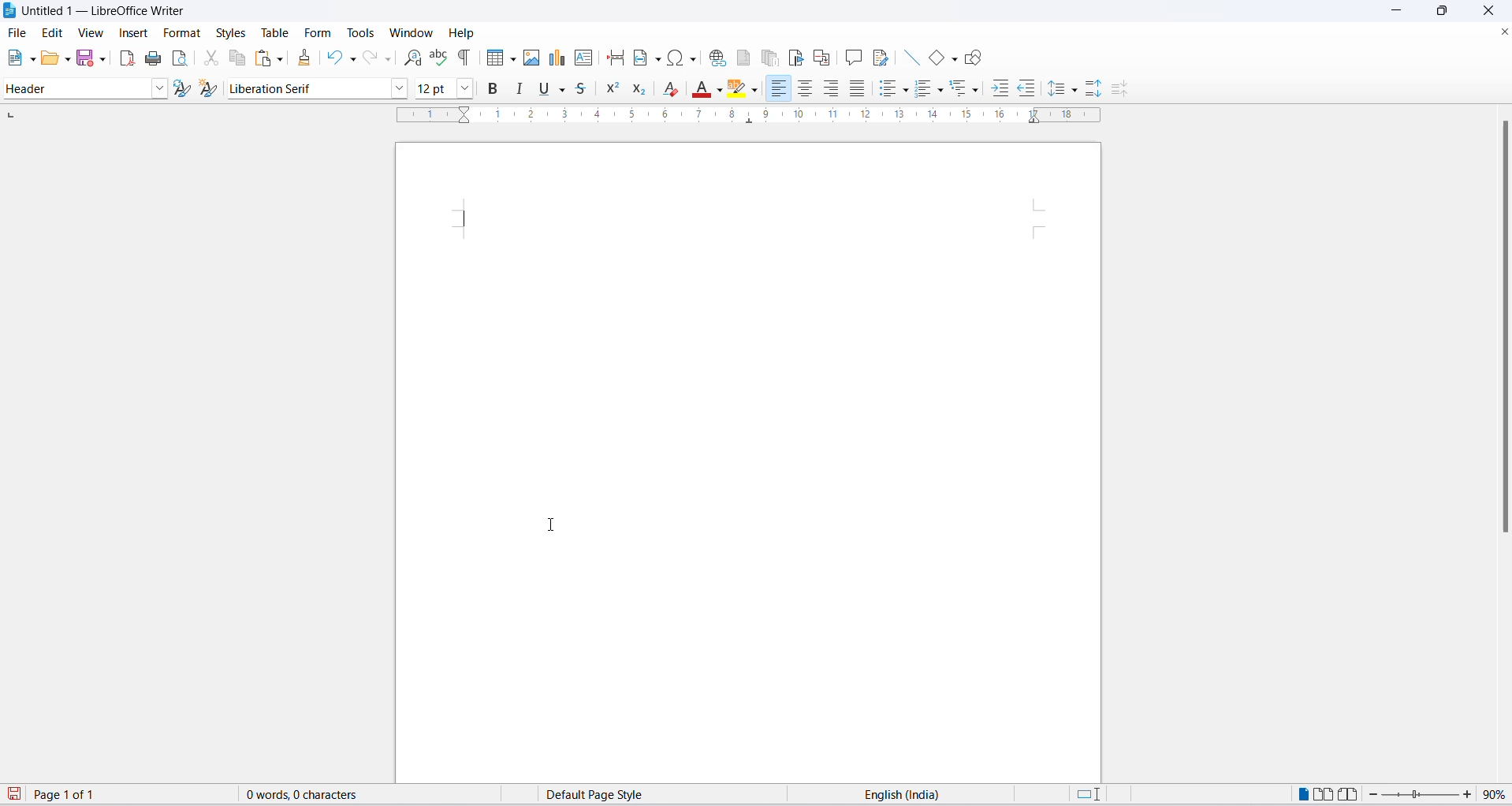 Image resolution: width=1512 pixels, height=806 pixels. What do you see at coordinates (1121, 91) in the screenshot?
I see `decrease paragraph spacing` at bounding box center [1121, 91].